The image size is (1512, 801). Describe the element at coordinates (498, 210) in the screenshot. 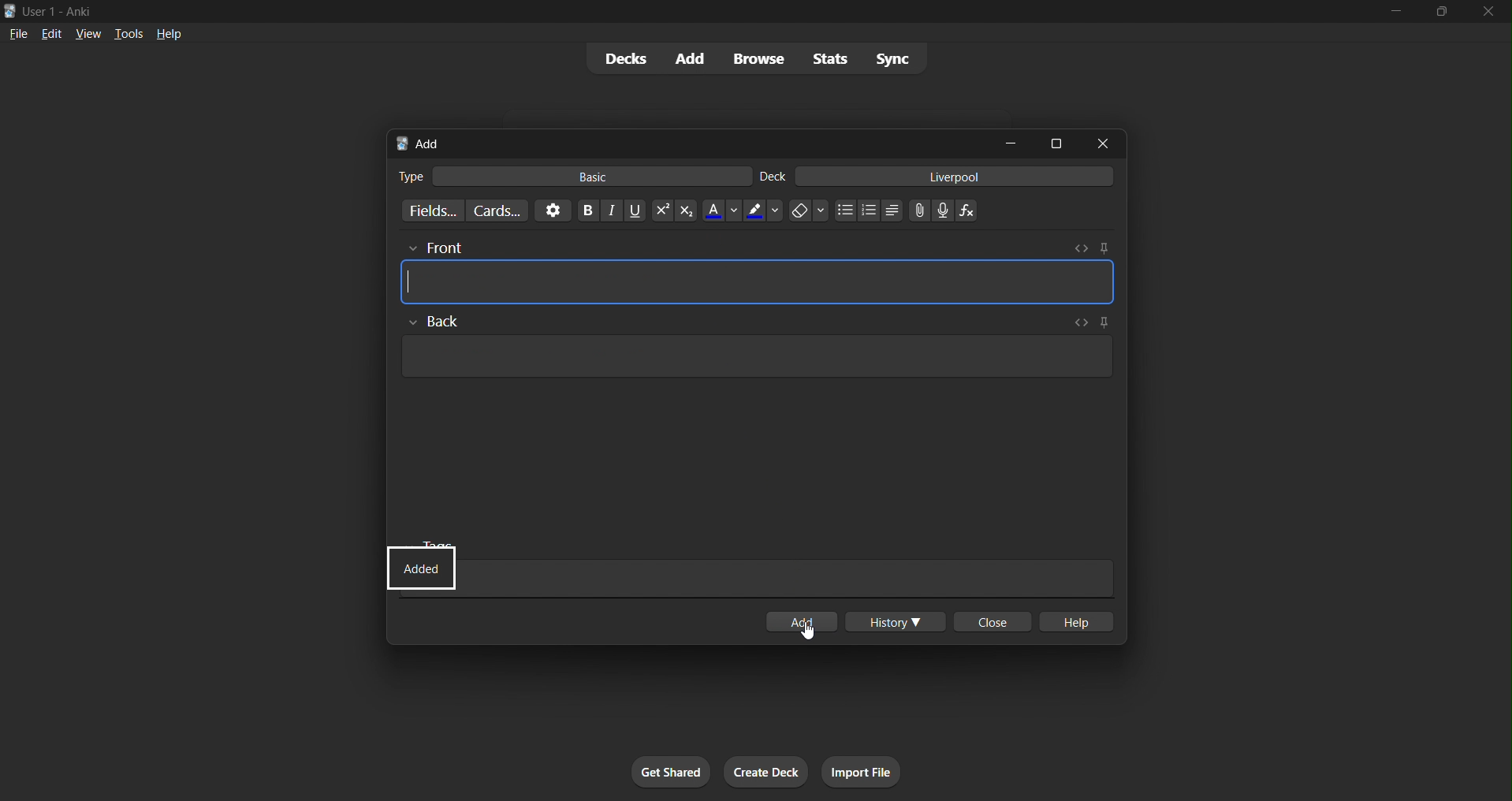

I see `customize card templates` at that location.